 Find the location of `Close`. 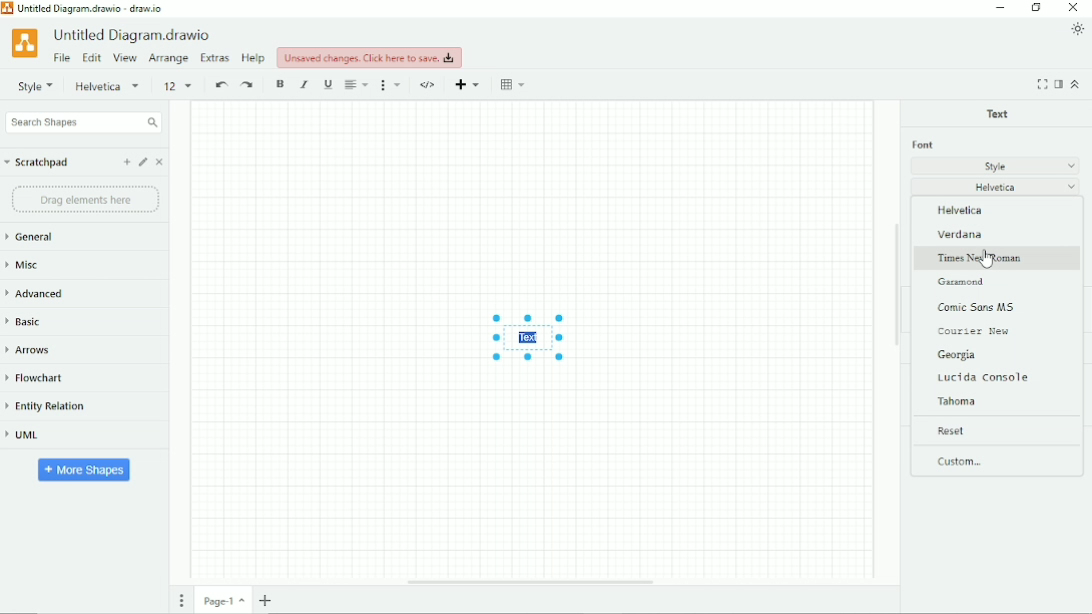

Close is located at coordinates (161, 162).